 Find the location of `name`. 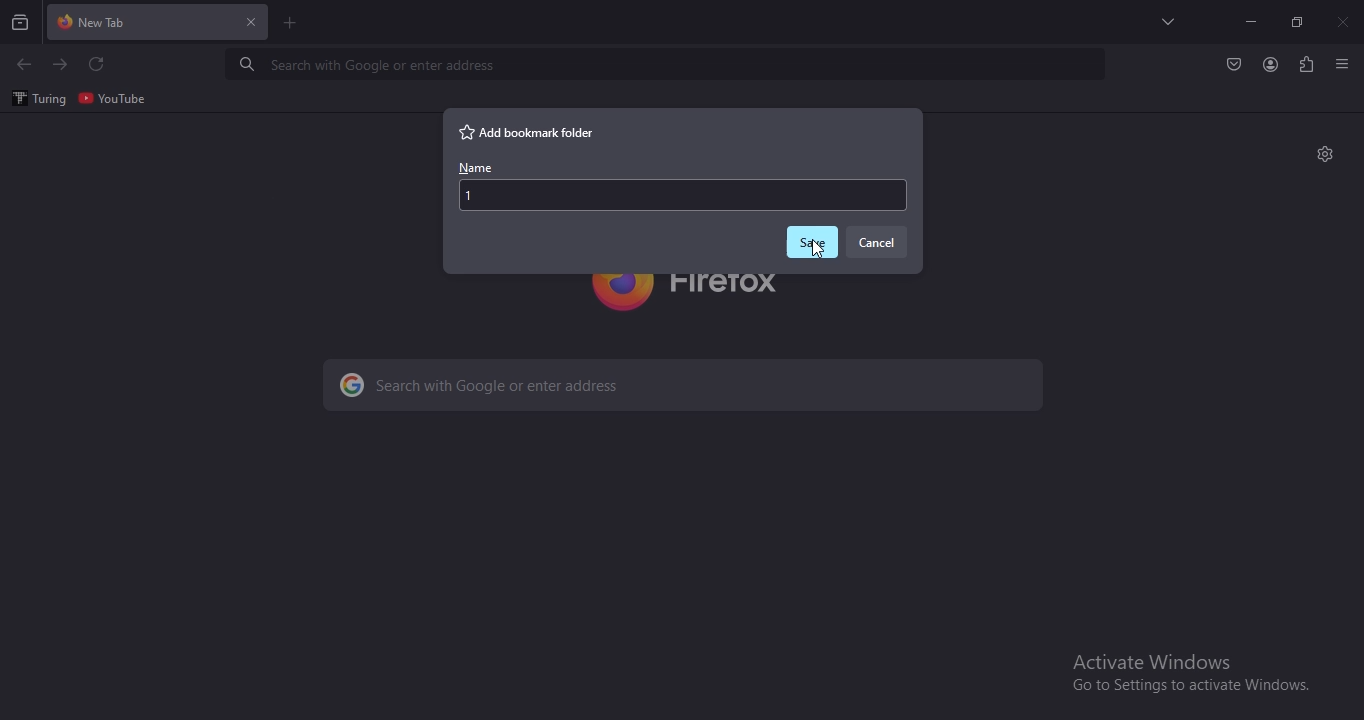

name is located at coordinates (475, 166).